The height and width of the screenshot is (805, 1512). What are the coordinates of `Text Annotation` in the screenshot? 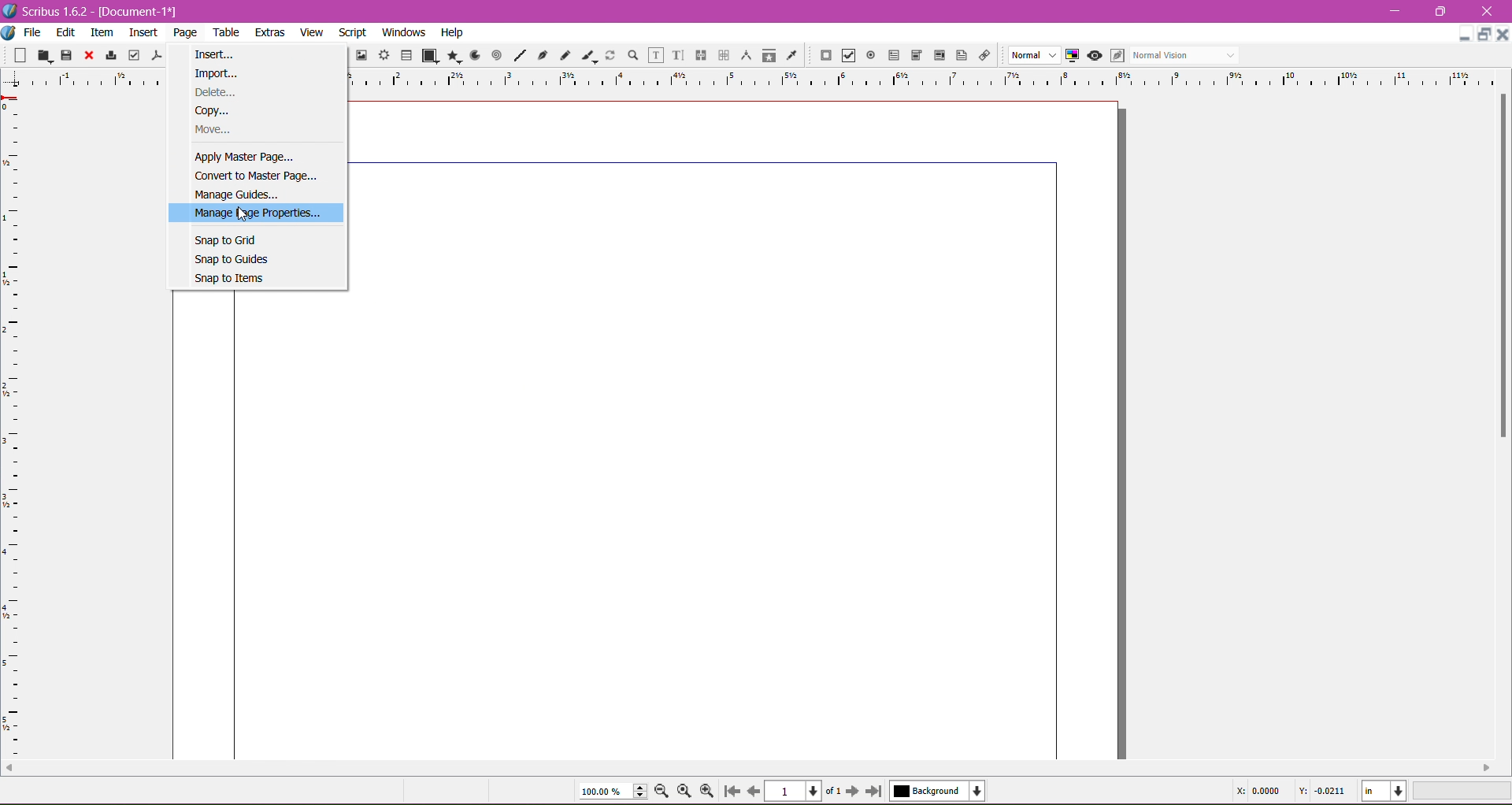 It's located at (960, 56).